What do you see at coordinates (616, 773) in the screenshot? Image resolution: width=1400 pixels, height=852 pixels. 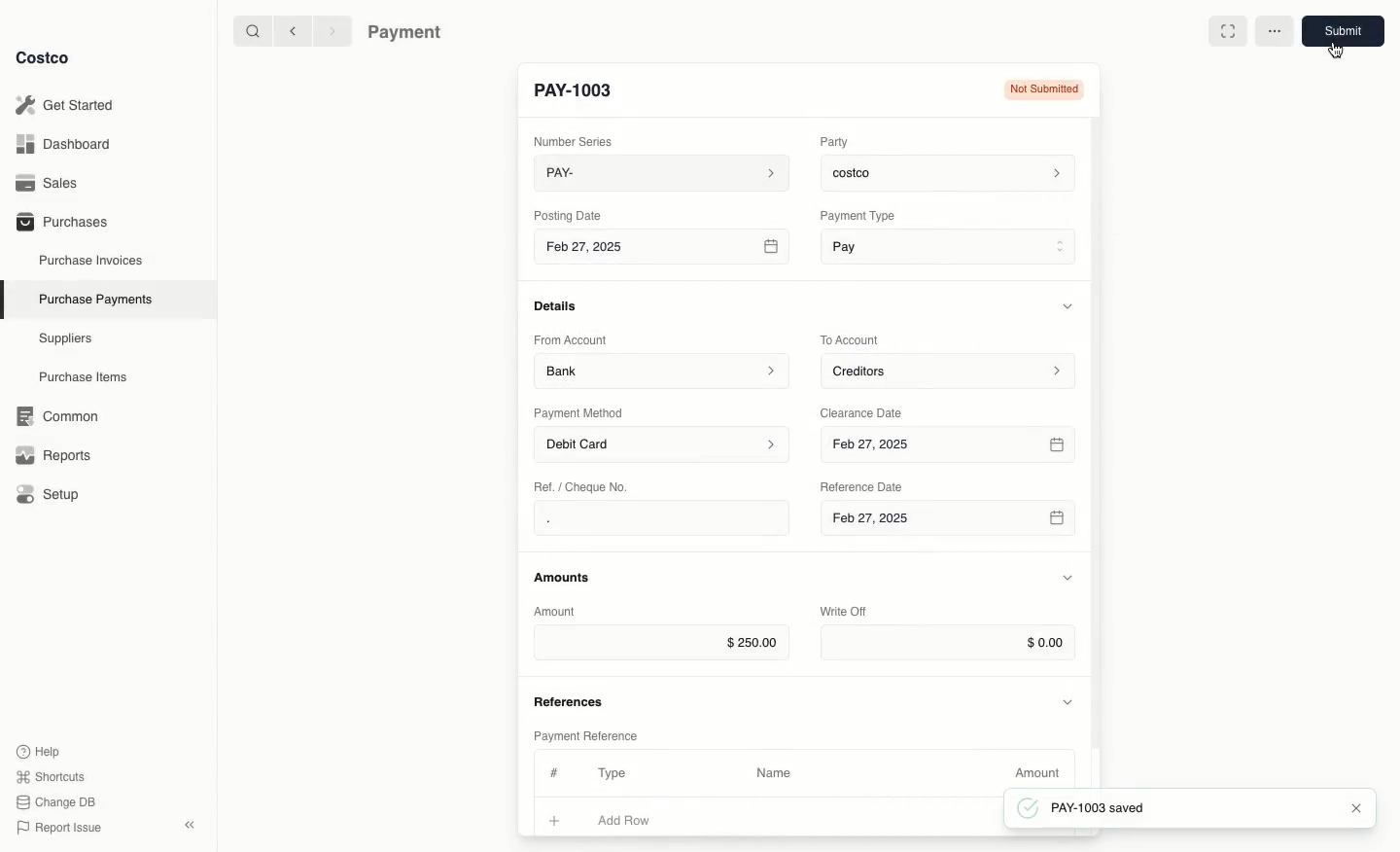 I see `Type` at bounding box center [616, 773].